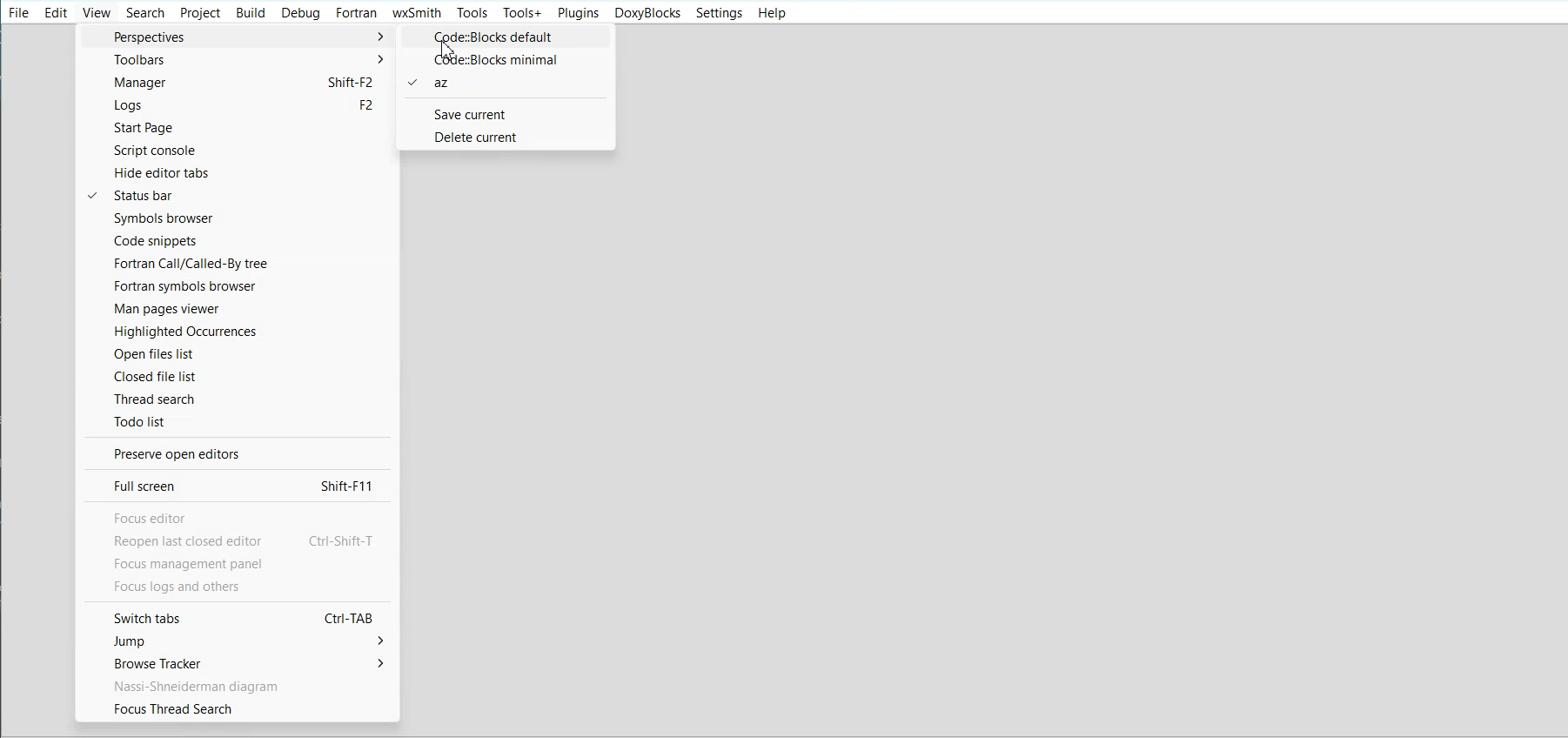 The image size is (1568, 738). What do you see at coordinates (239, 128) in the screenshot?
I see `Start Page` at bounding box center [239, 128].